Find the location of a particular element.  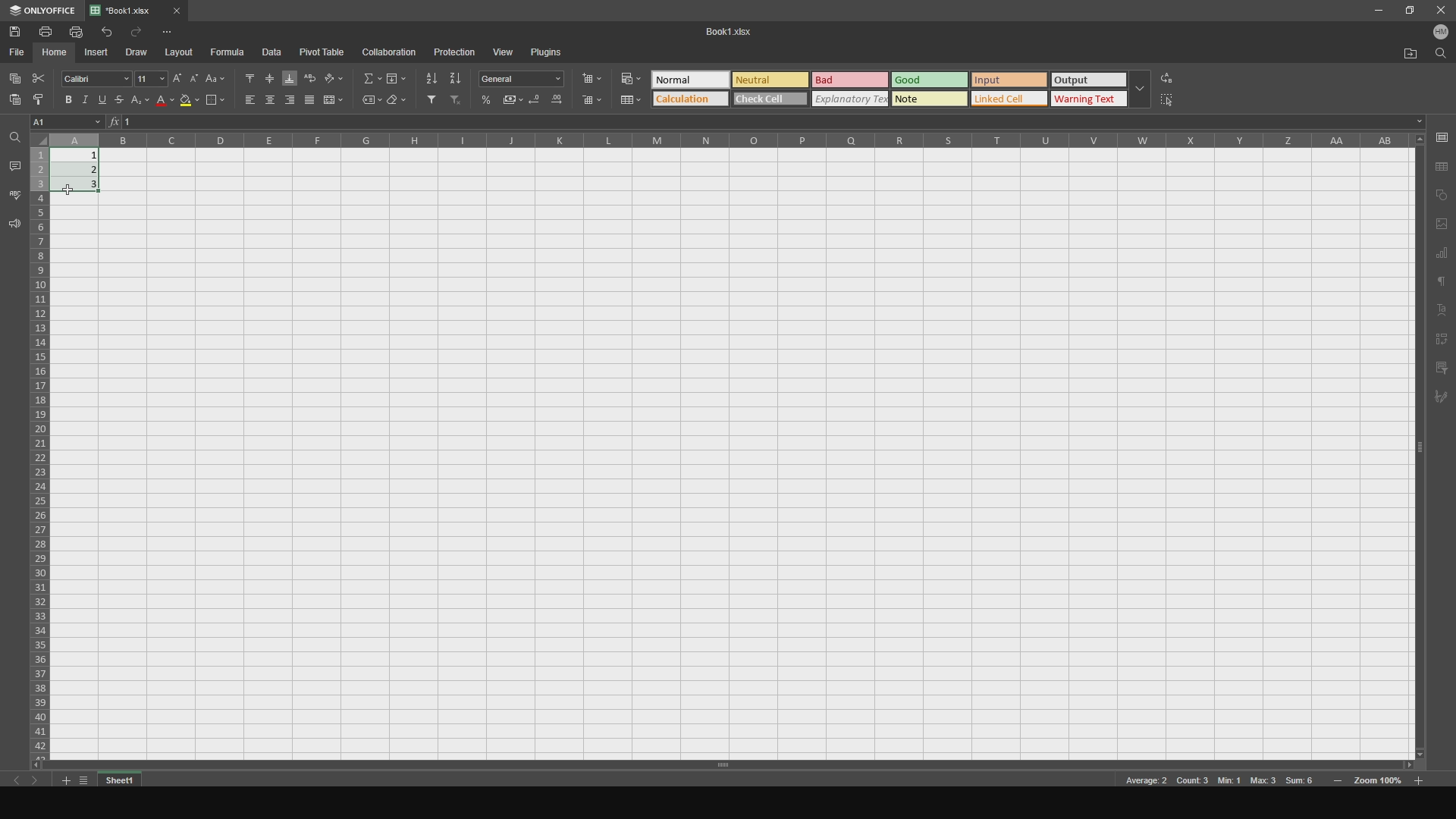

align center is located at coordinates (268, 100).